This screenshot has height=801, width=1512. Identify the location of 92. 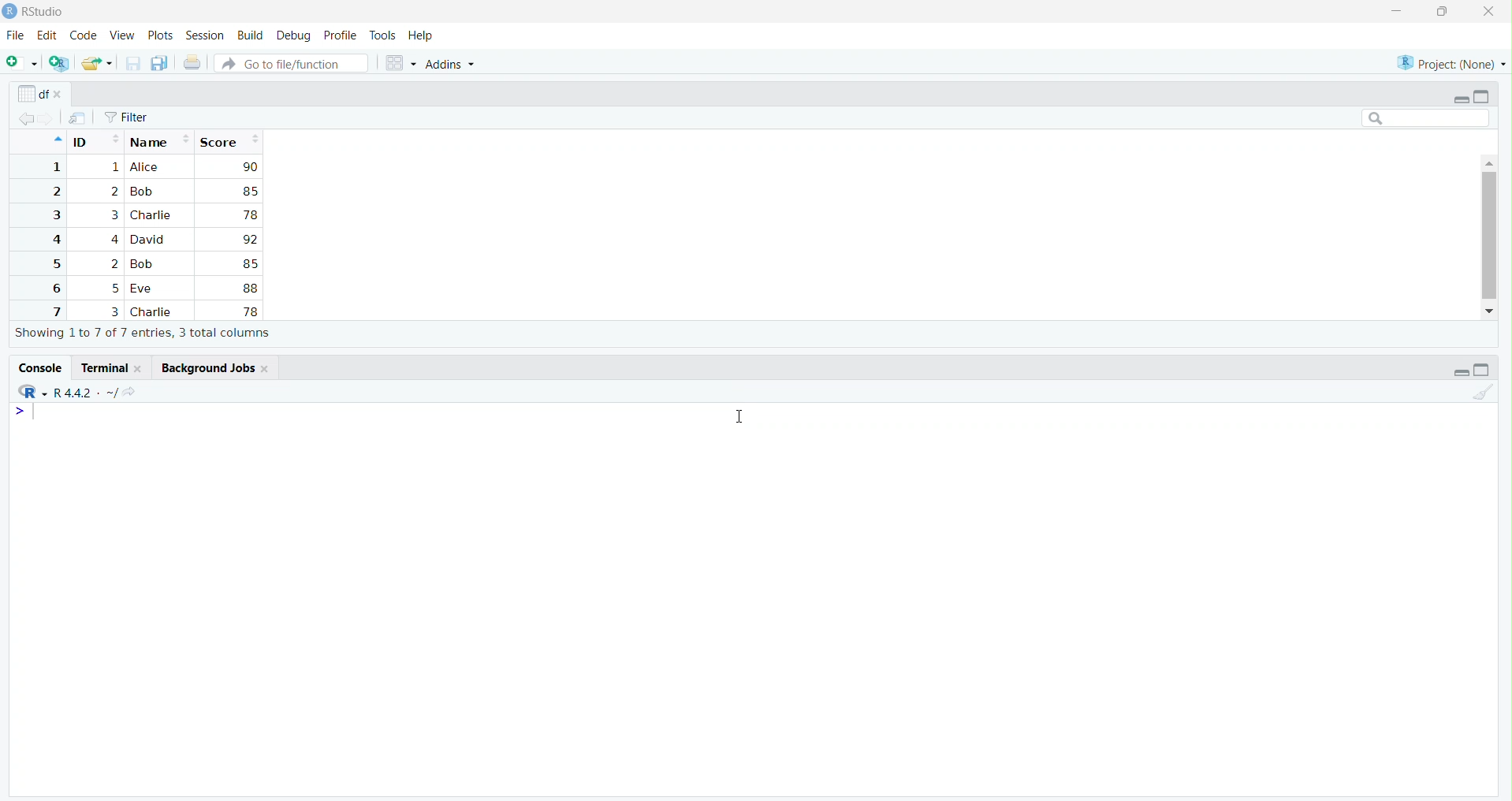
(249, 240).